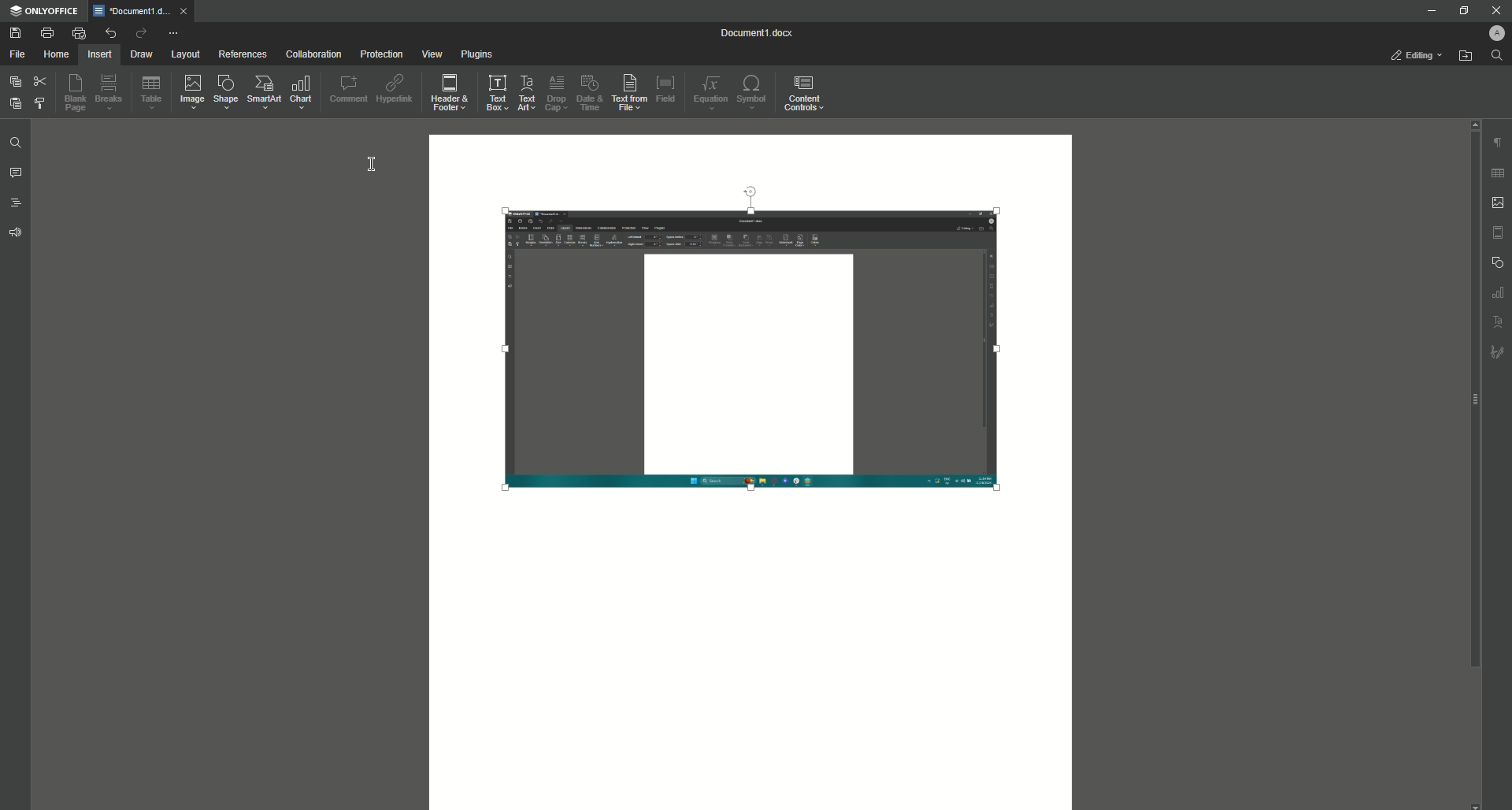 This screenshot has height=810, width=1512. I want to click on SmartArt, so click(265, 91).